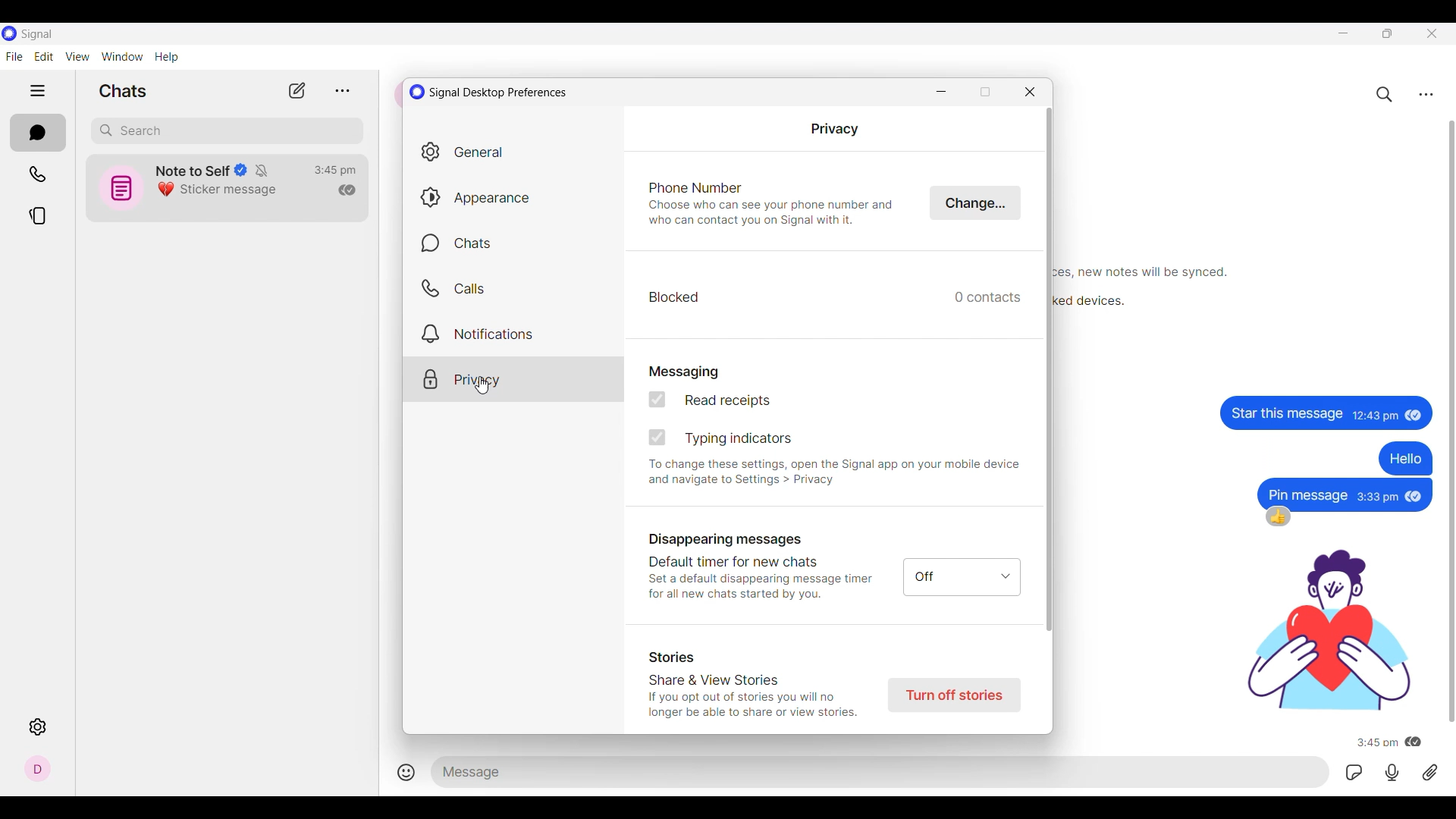  Describe the element at coordinates (1387, 33) in the screenshot. I see `Restore down` at that location.